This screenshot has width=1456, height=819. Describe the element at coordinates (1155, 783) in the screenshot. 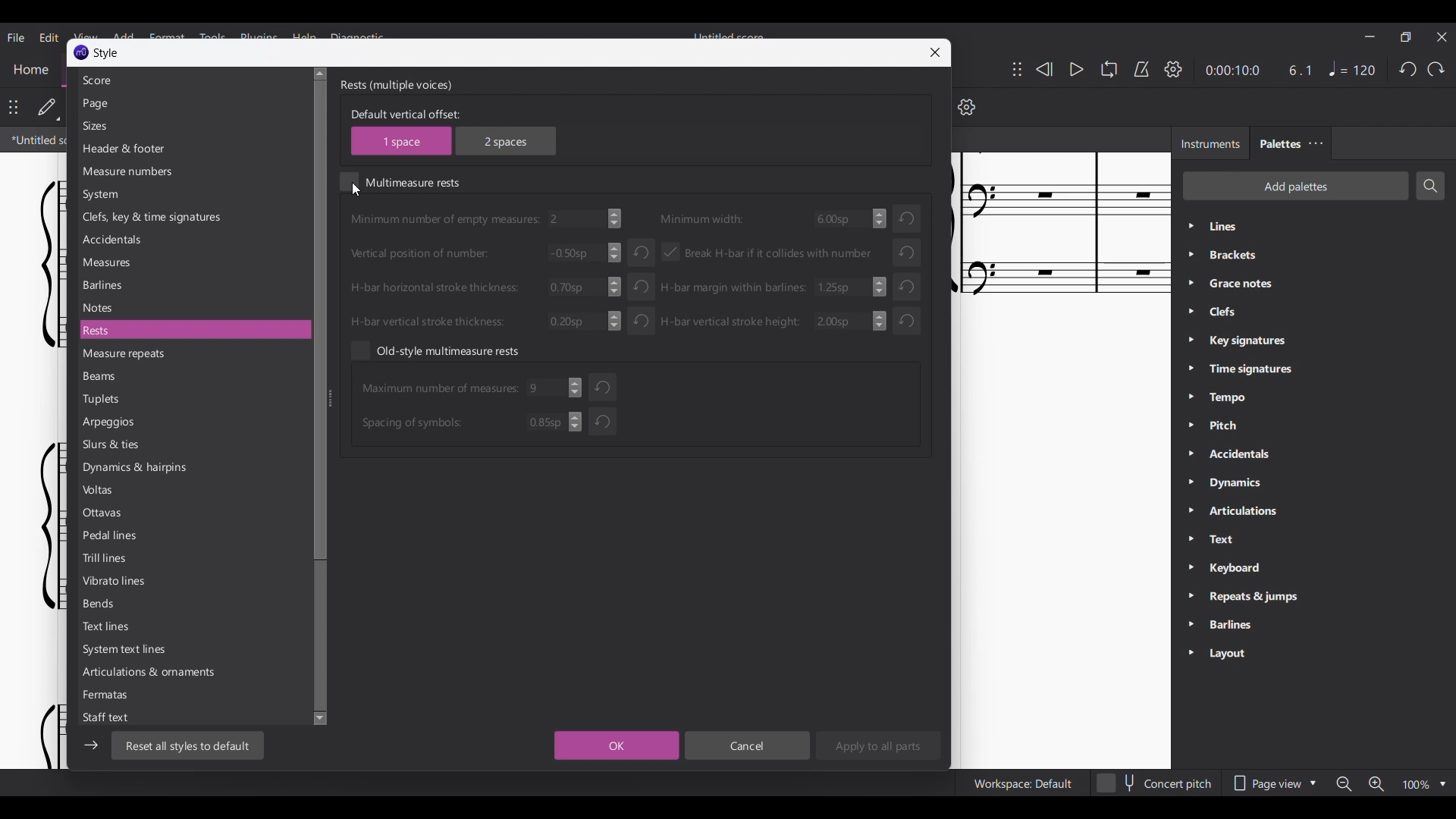

I see `Toggle for Concert pitch` at that location.